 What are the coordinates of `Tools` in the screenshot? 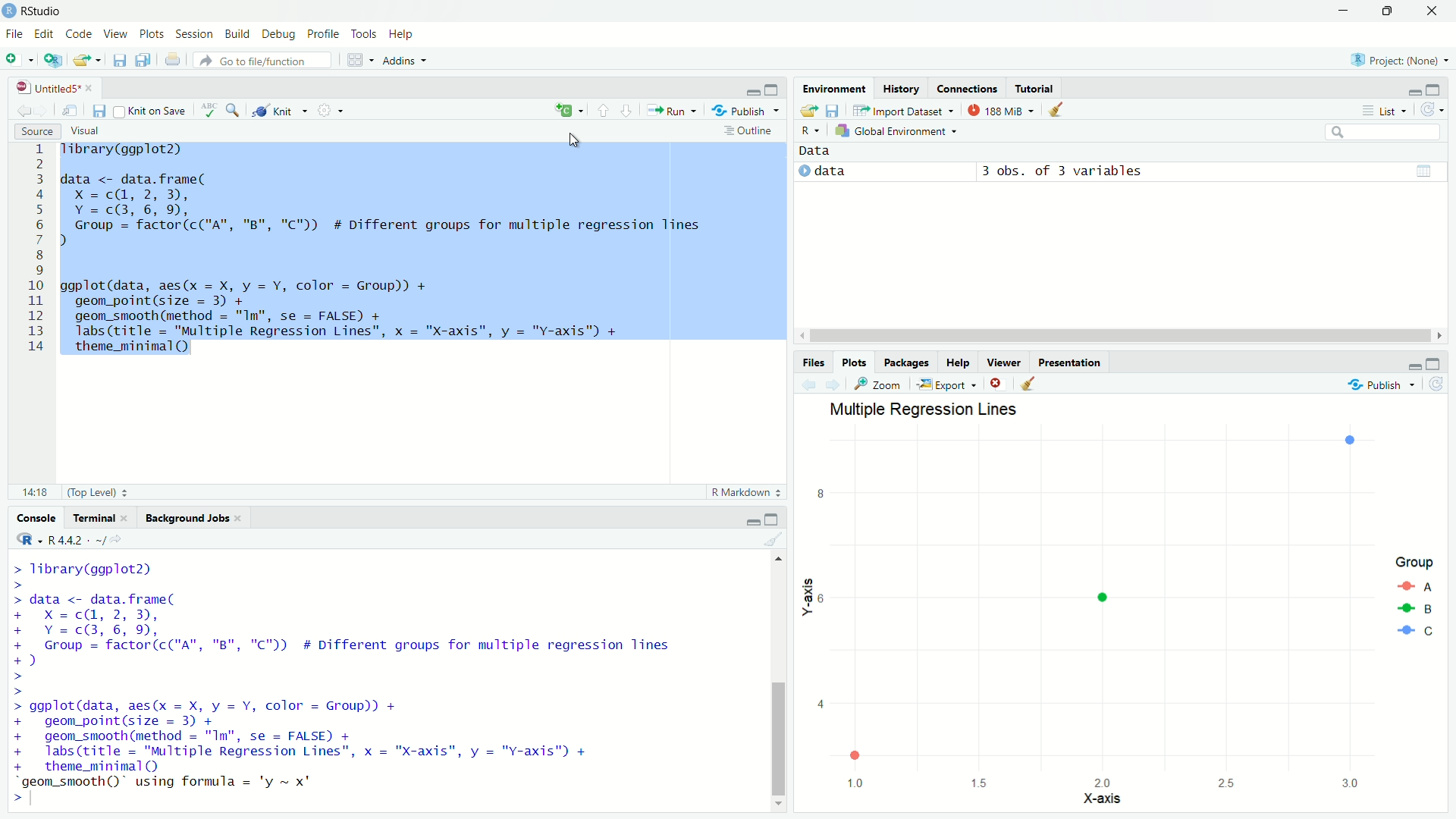 It's located at (366, 35).